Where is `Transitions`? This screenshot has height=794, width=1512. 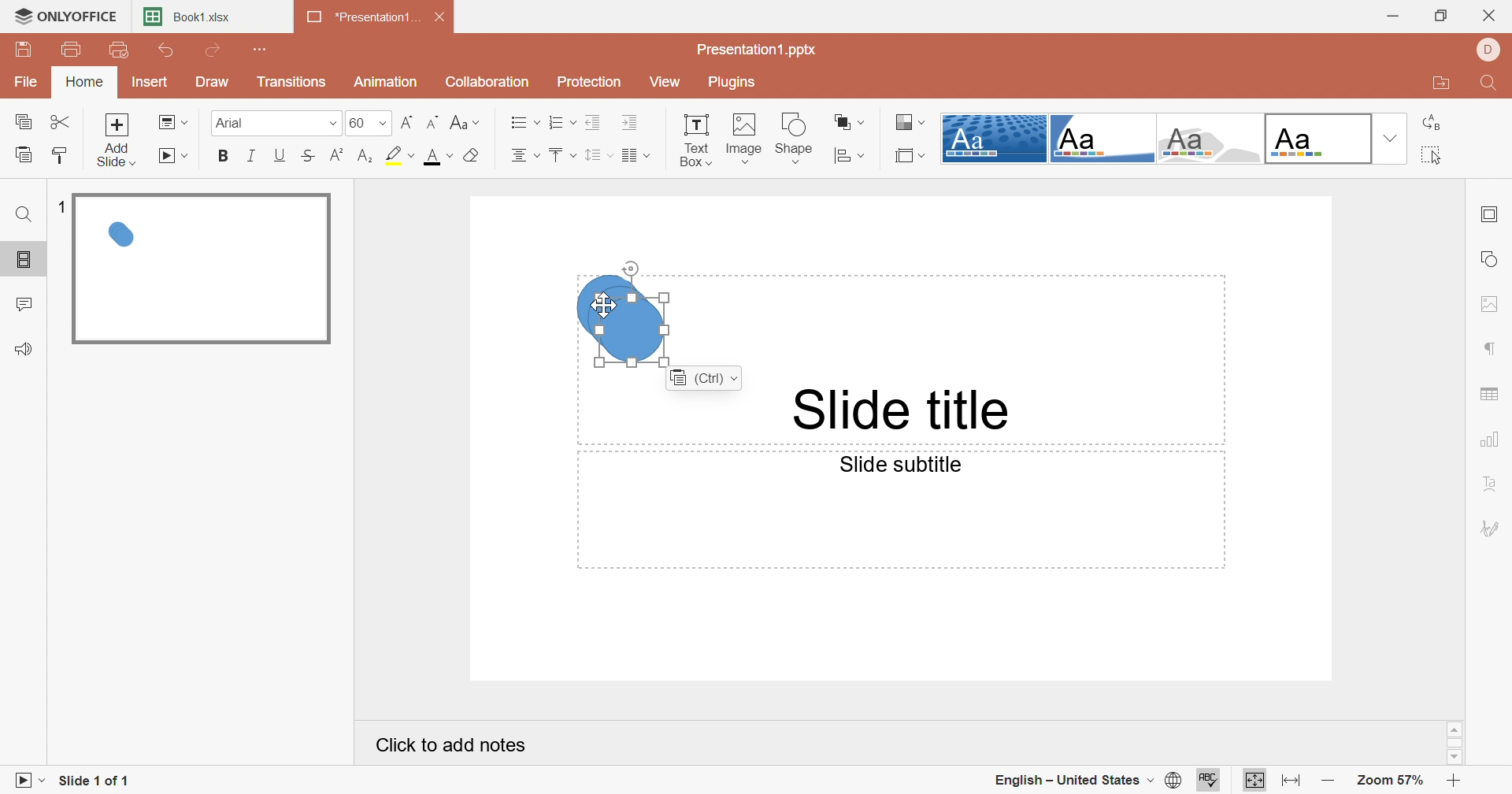 Transitions is located at coordinates (296, 84).